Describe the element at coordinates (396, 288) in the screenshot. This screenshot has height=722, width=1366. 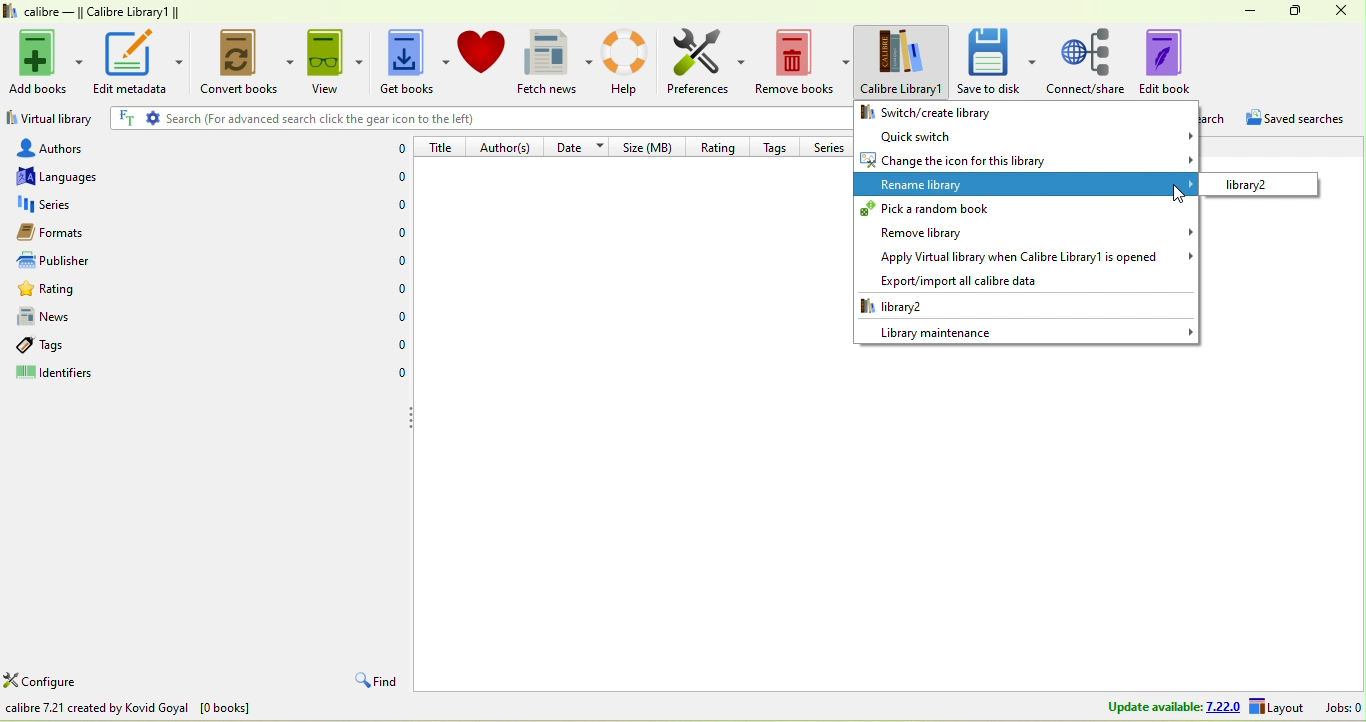
I see `0` at that location.